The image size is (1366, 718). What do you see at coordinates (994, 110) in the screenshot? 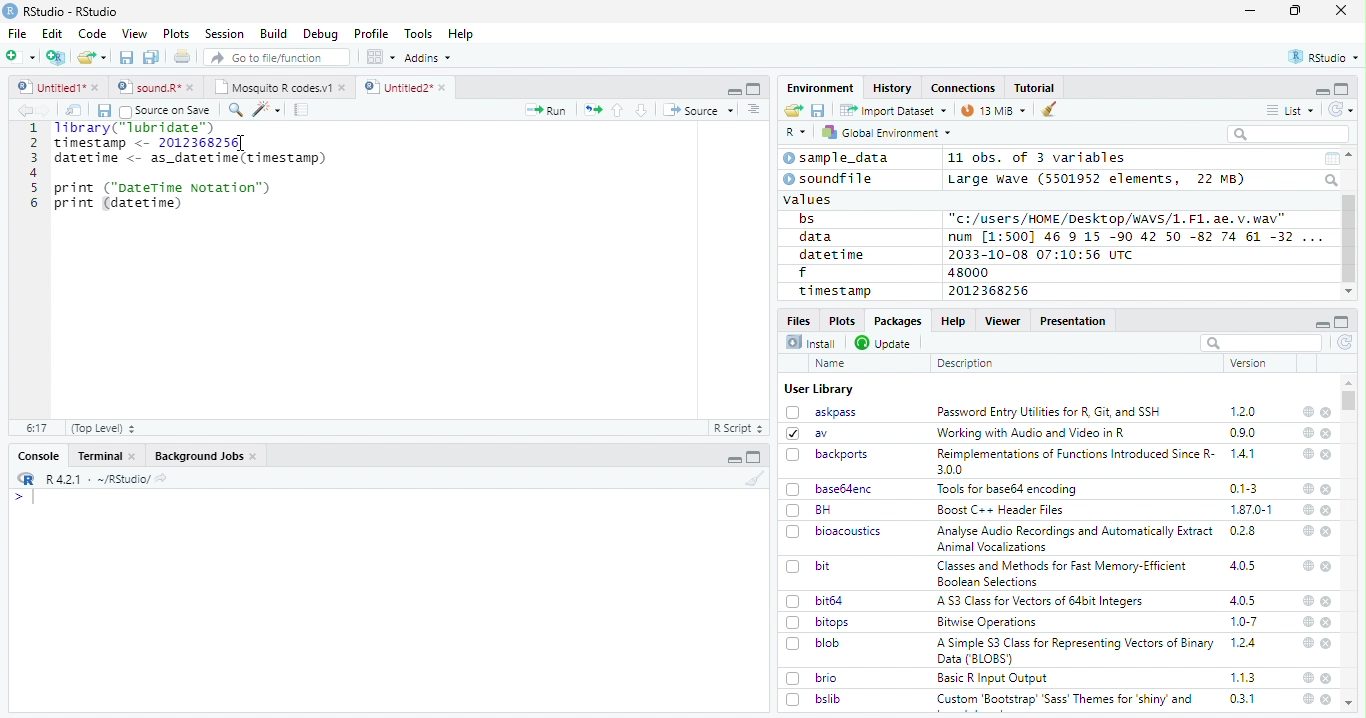
I see `15 MiB` at bounding box center [994, 110].